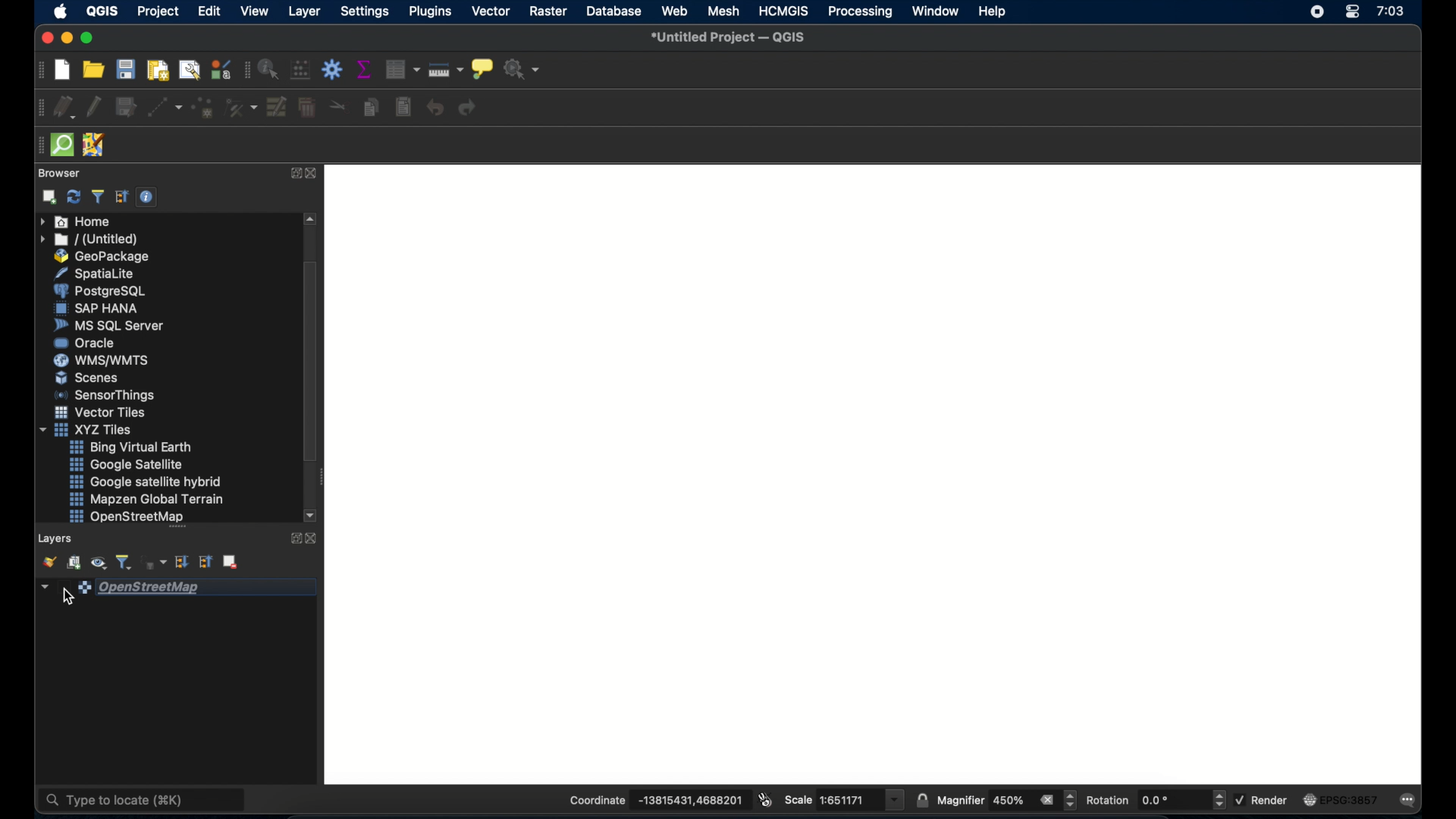  What do you see at coordinates (96, 106) in the screenshot?
I see `toggle editing` at bounding box center [96, 106].